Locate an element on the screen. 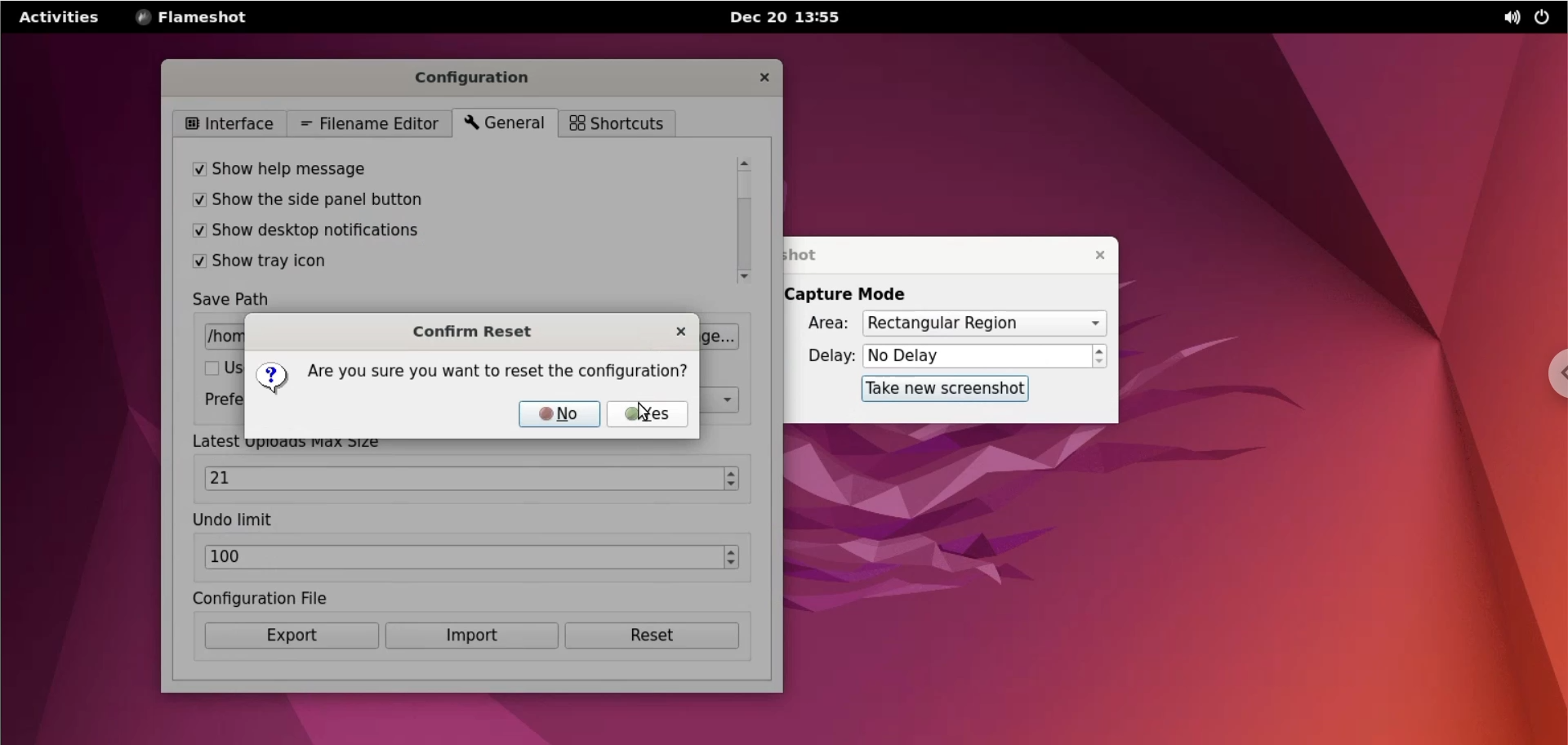 The height and width of the screenshot is (745, 1568). cursor is located at coordinates (645, 413).